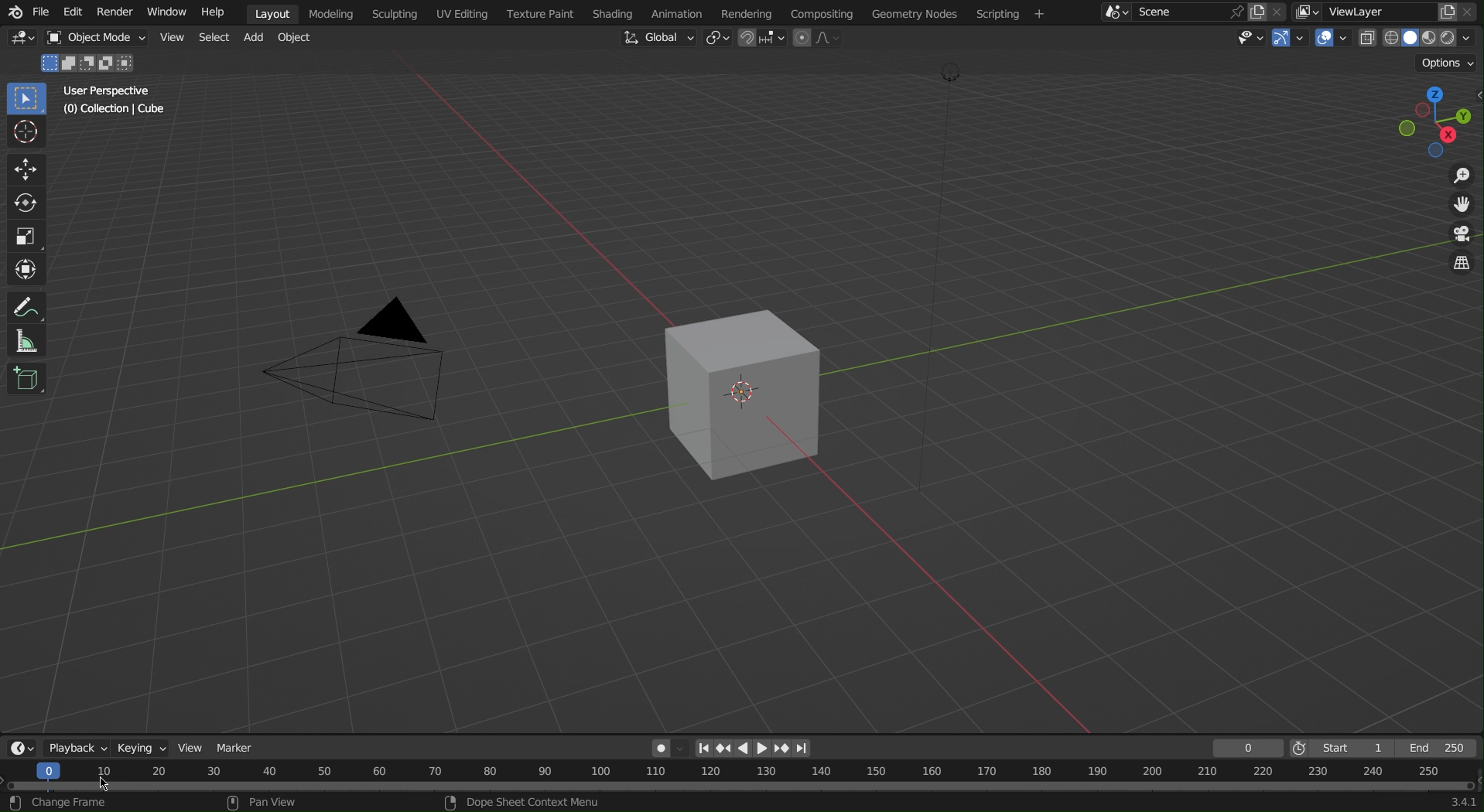  I want to click on Viewport, so click(1439, 121).